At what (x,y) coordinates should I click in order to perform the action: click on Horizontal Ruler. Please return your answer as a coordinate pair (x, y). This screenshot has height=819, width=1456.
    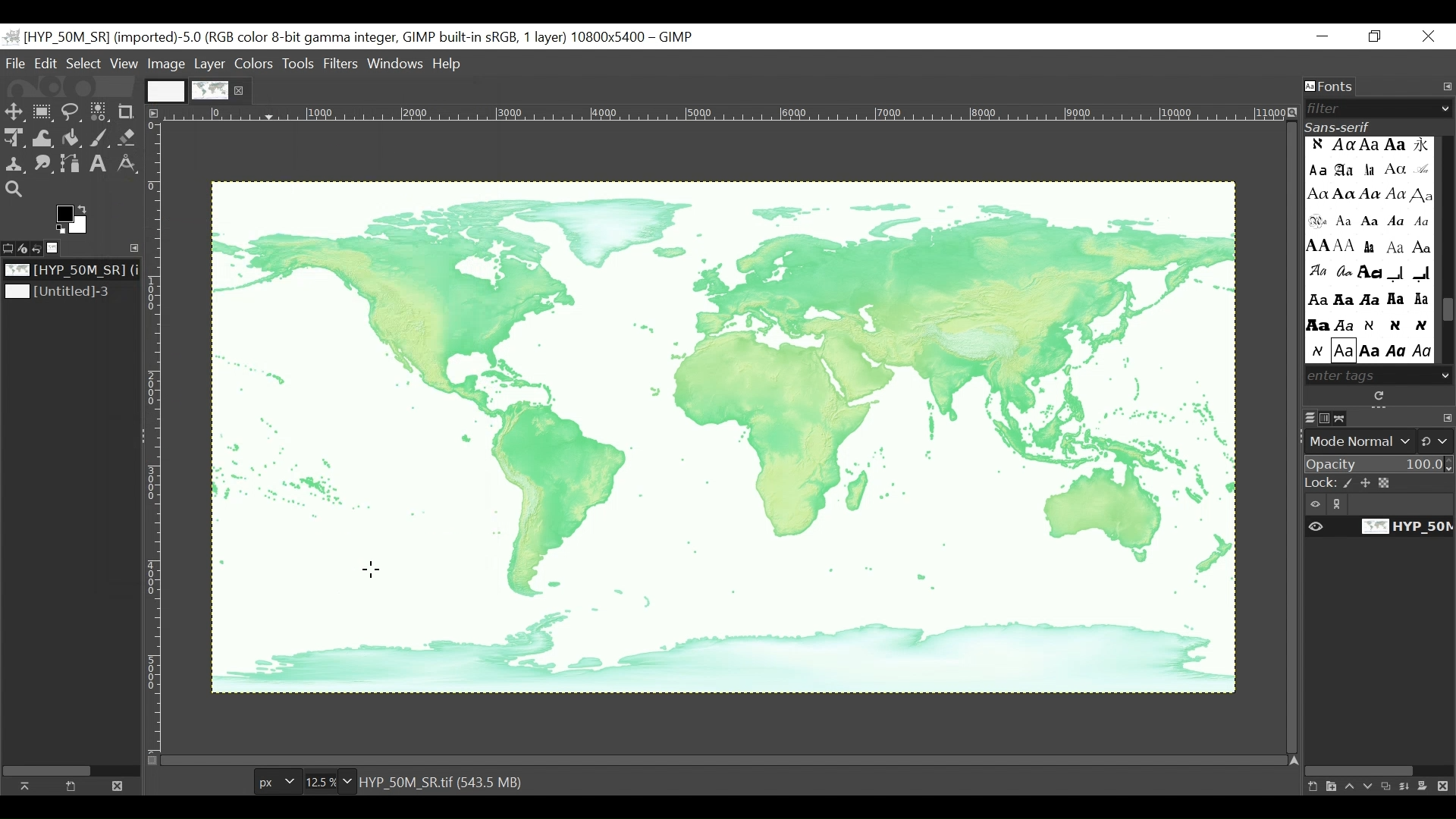
    Looking at the image, I should click on (725, 115).